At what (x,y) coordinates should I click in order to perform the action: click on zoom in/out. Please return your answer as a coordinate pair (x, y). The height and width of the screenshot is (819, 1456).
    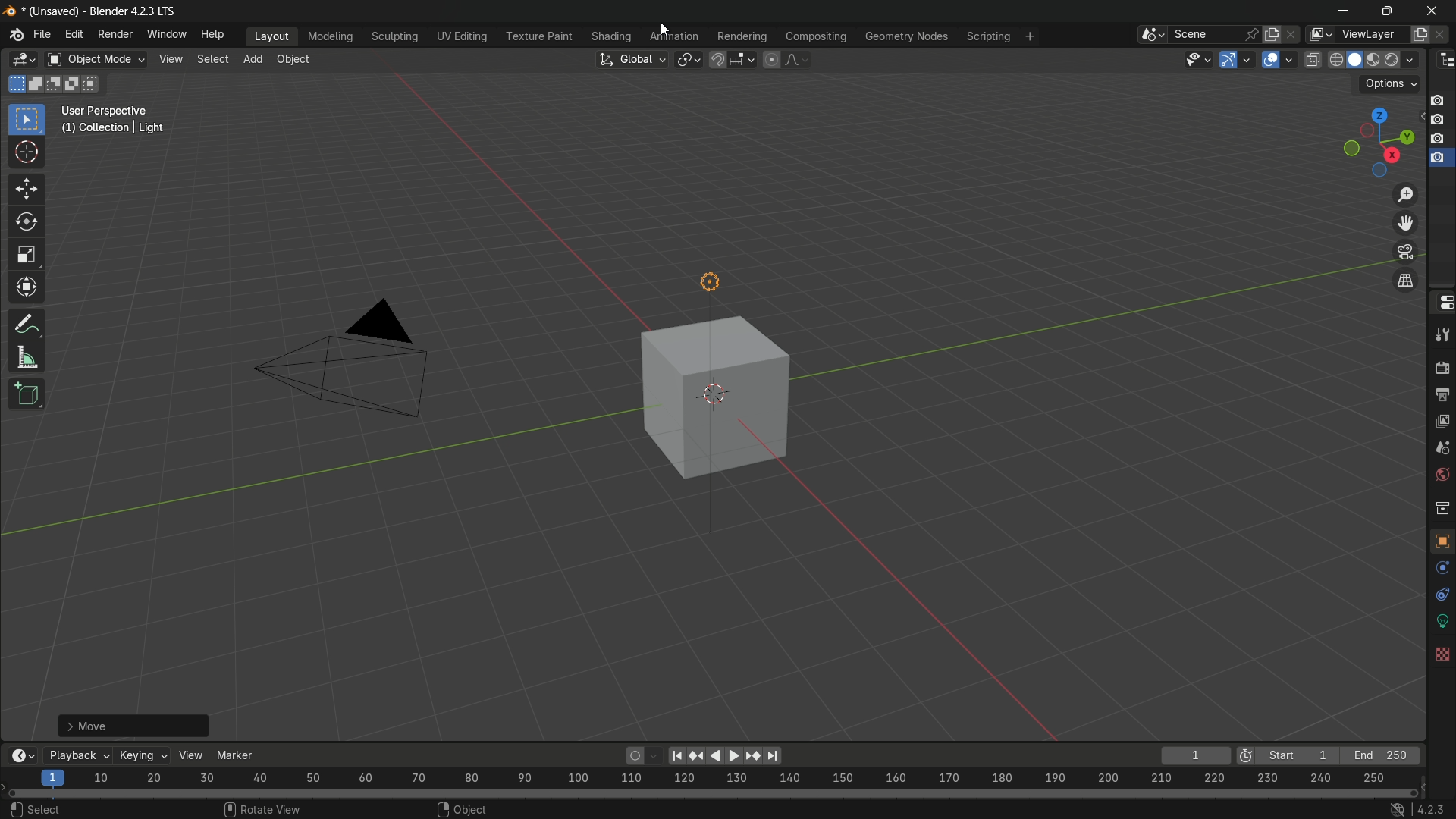
    Looking at the image, I should click on (1405, 194).